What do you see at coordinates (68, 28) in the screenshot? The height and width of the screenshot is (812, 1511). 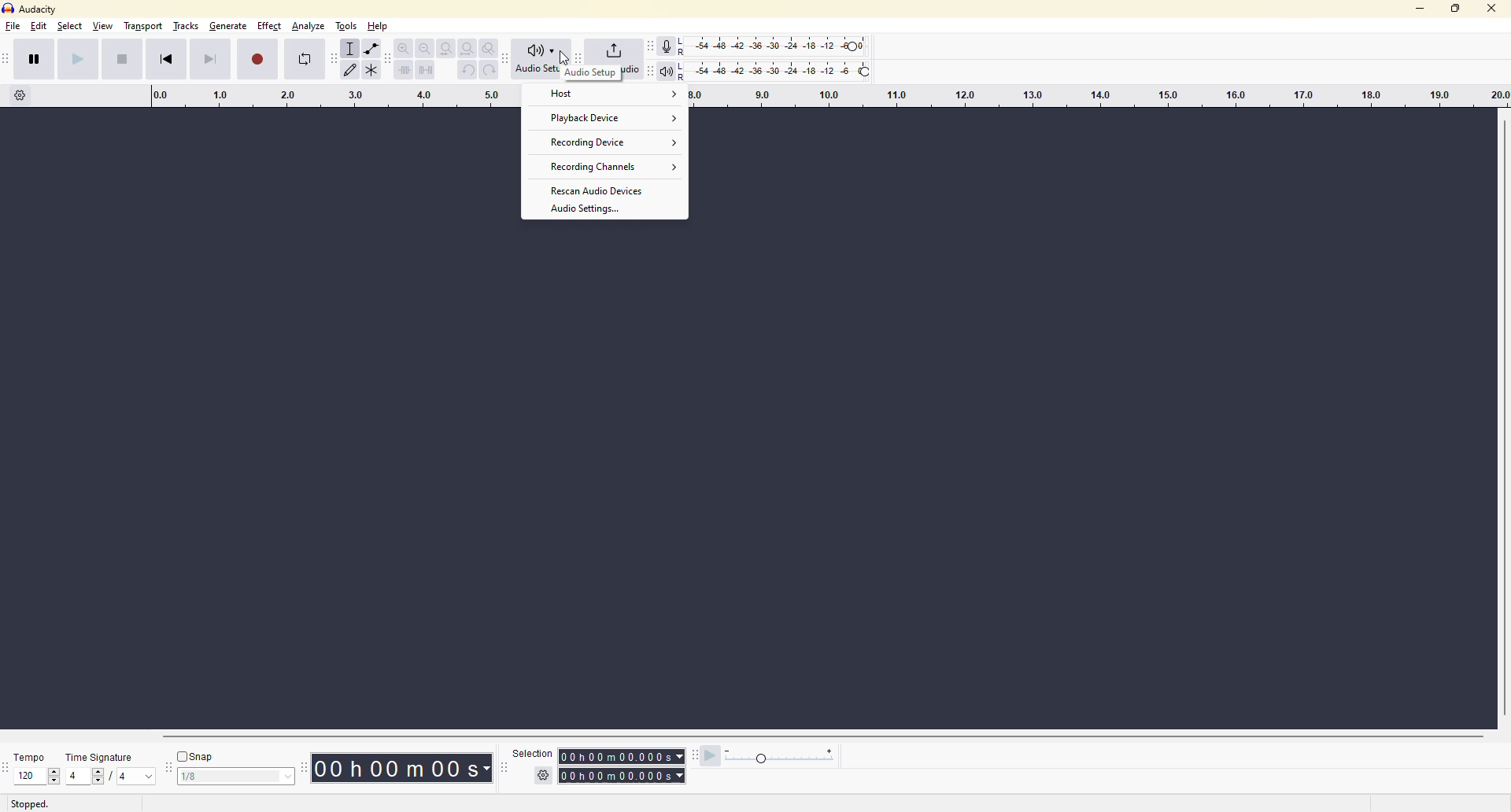 I see `select` at bounding box center [68, 28].